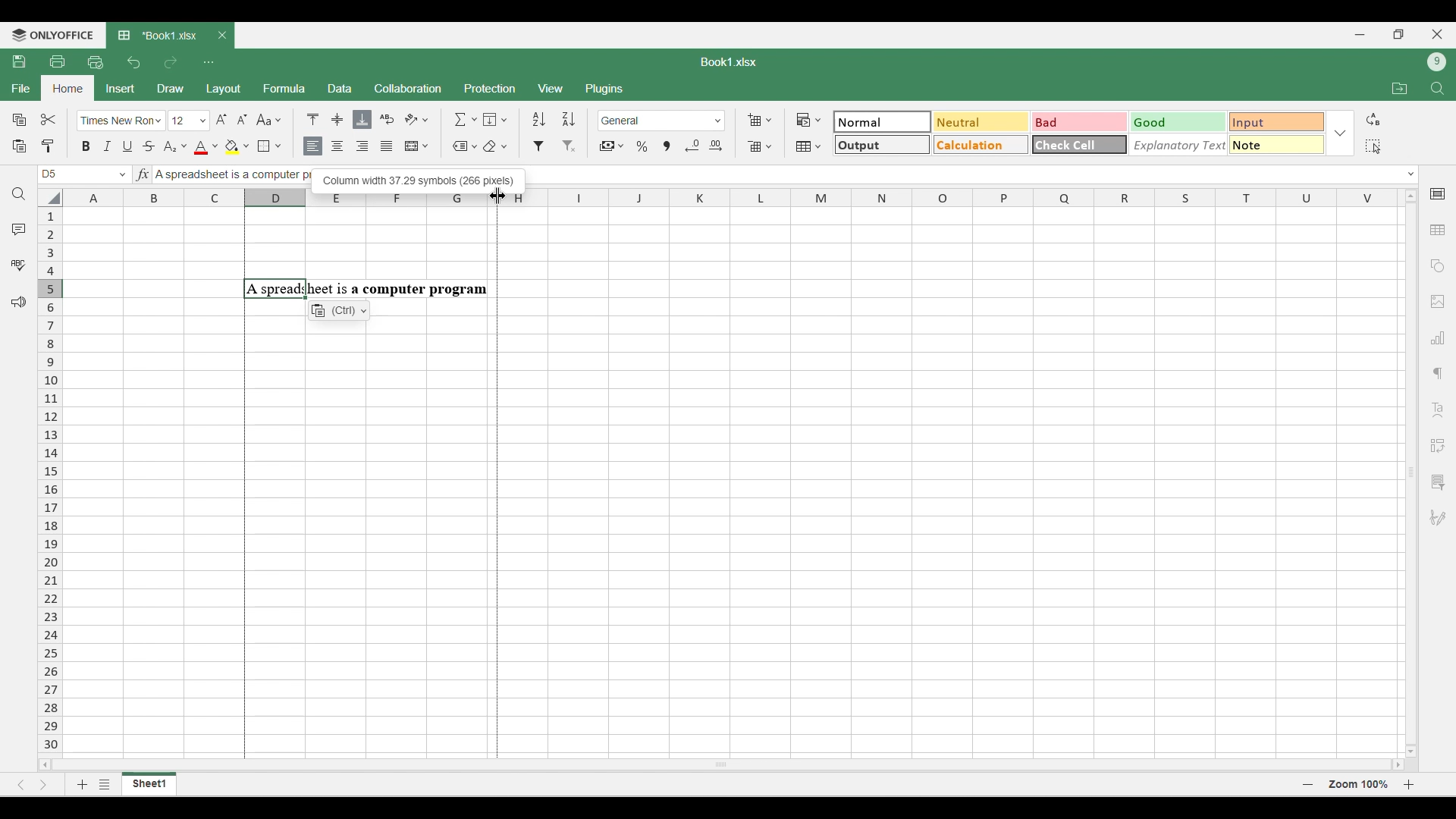 The image size is (1456, 819). I want to click on Subscript, so click(174, 147).